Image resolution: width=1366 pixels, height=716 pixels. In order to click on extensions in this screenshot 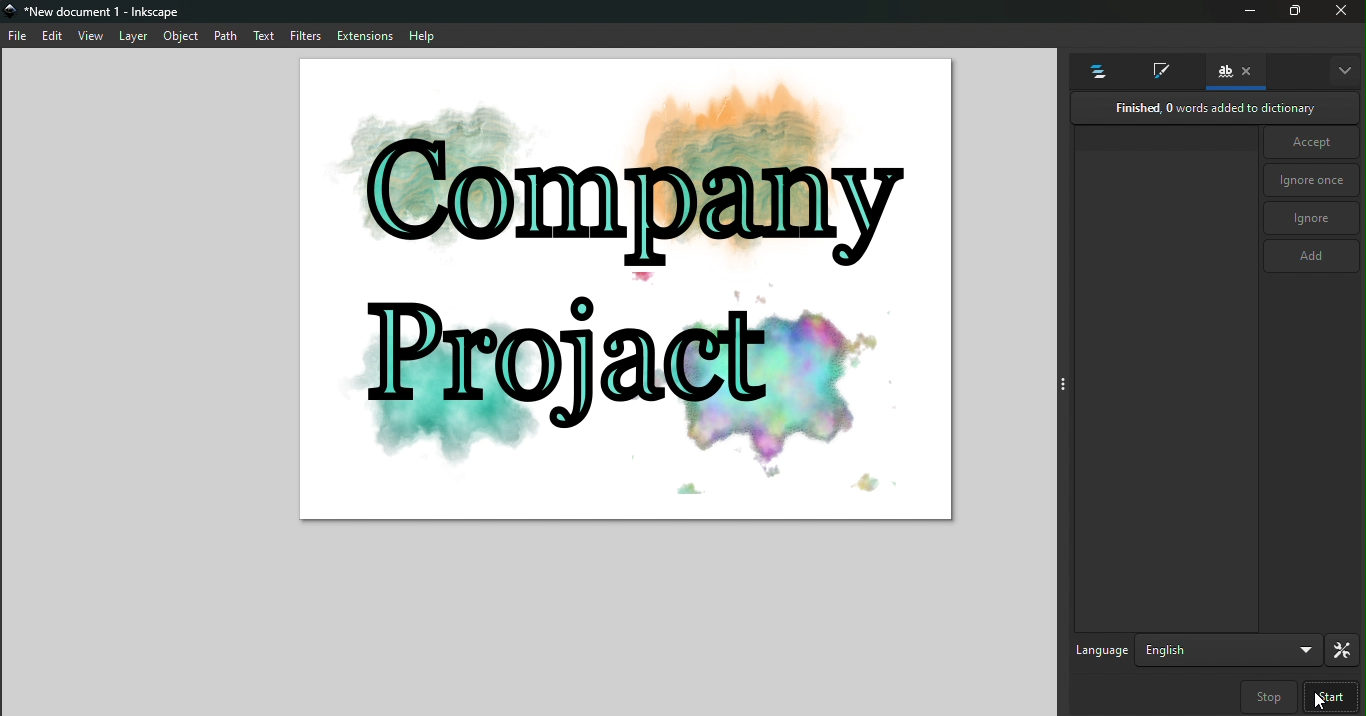, I will do `click(366, 35)`.